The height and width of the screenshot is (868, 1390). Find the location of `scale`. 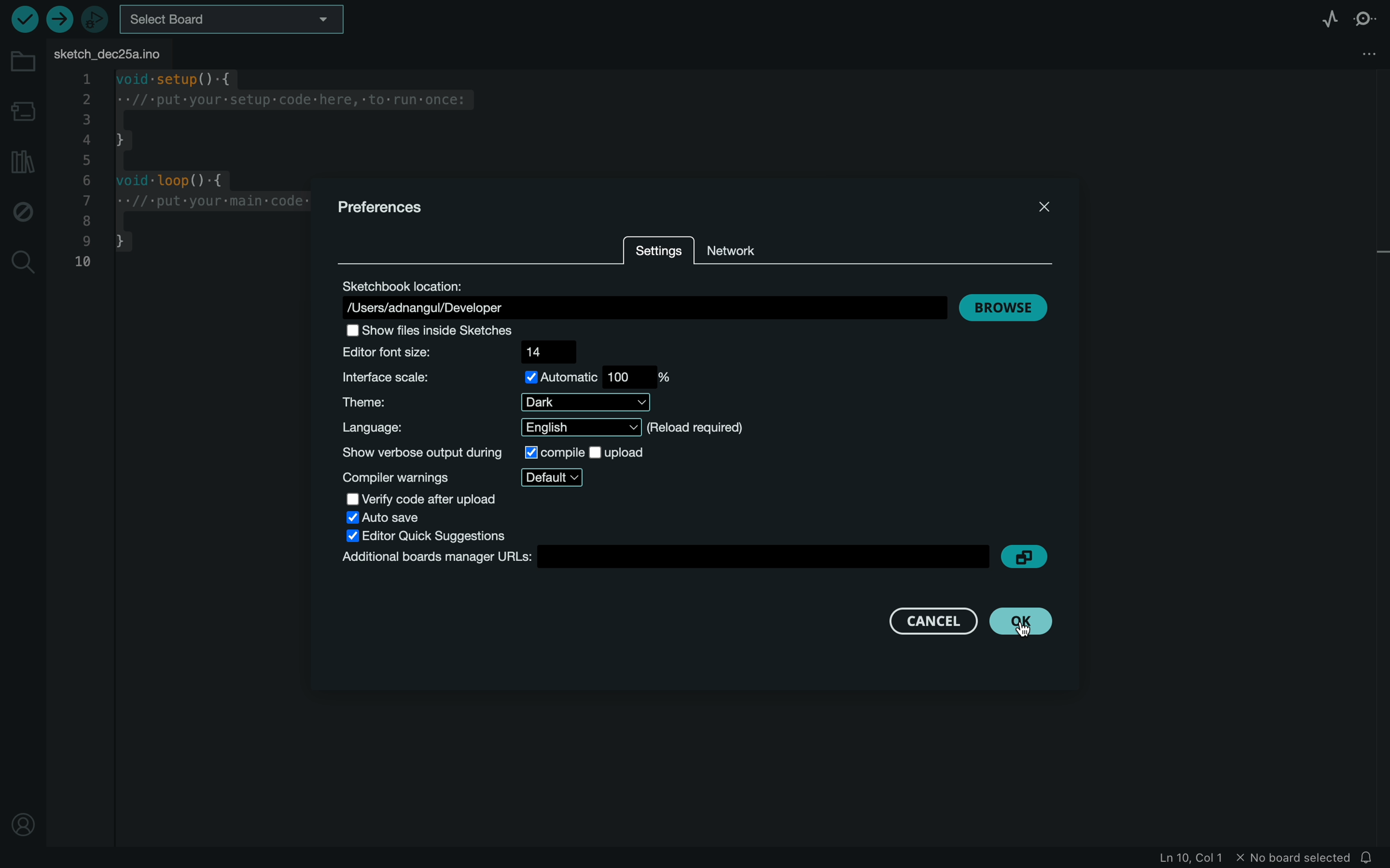

scale is located at coordinates (517, 375).